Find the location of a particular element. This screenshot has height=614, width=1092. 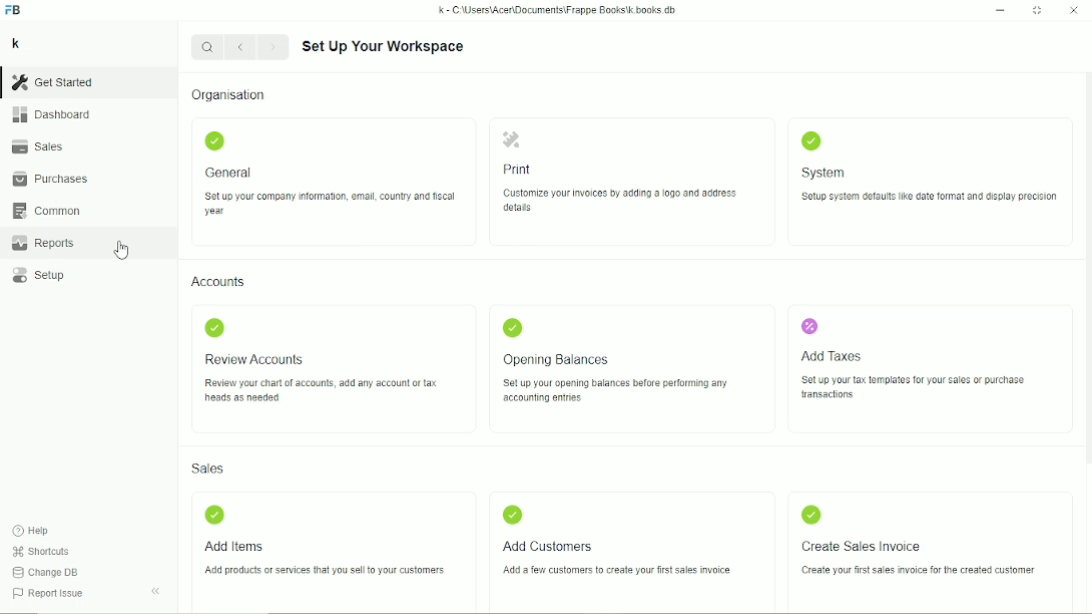

Dashboard is located at coordinates (51, 114).